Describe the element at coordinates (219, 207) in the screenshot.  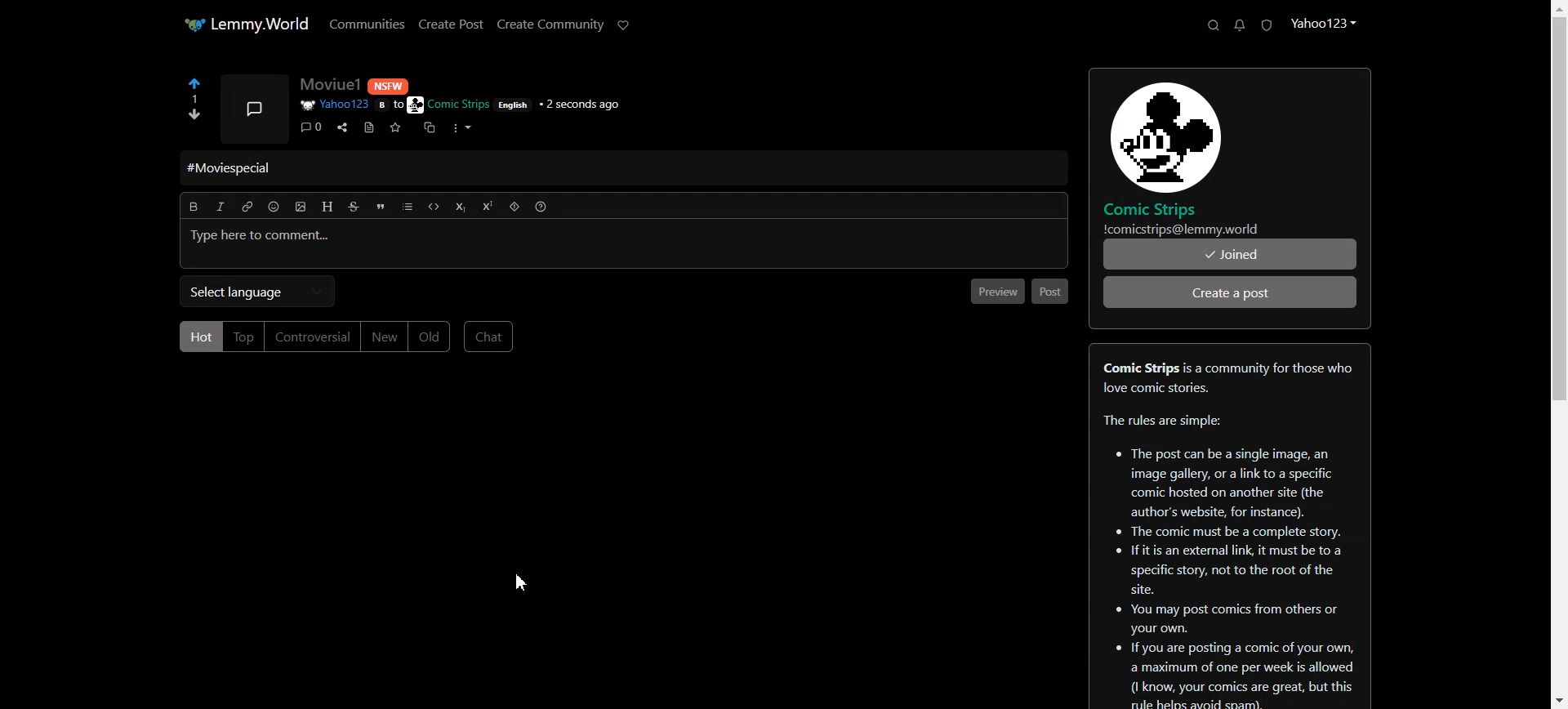
I see `Italic` at that location.